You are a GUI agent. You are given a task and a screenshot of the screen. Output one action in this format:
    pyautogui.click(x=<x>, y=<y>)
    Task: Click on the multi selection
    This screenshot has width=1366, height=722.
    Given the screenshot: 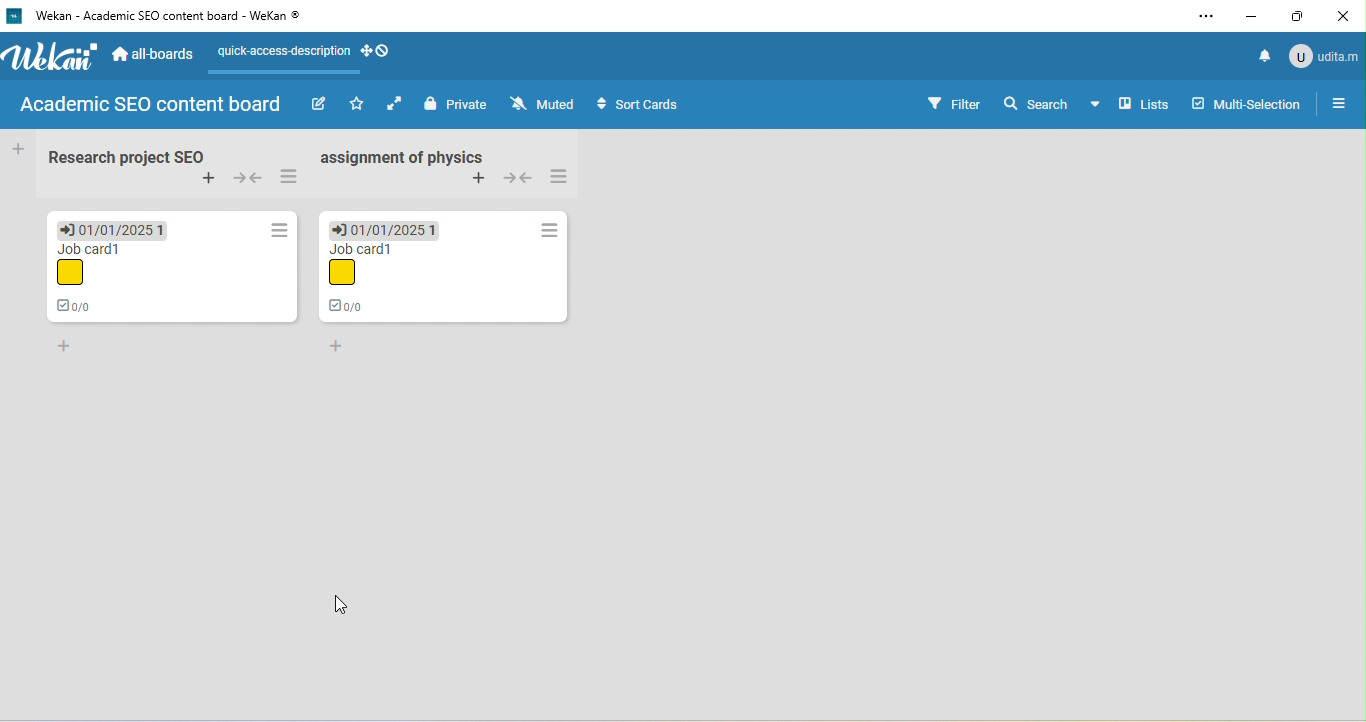 What is the action you would take?
    pyautogui.click(x=1250, y=105)
    